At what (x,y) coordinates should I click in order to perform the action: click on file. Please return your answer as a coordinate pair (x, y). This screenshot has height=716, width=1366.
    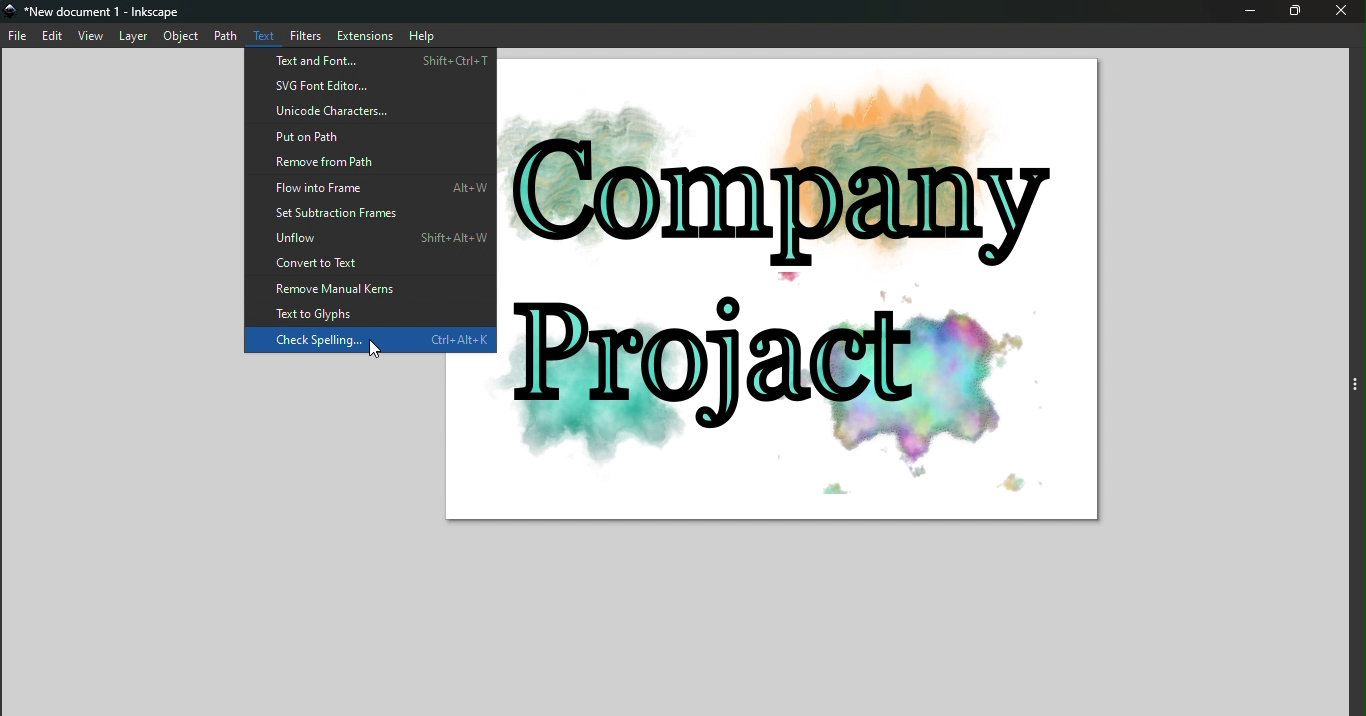
    Looking at the image, I should click on (19, 38).